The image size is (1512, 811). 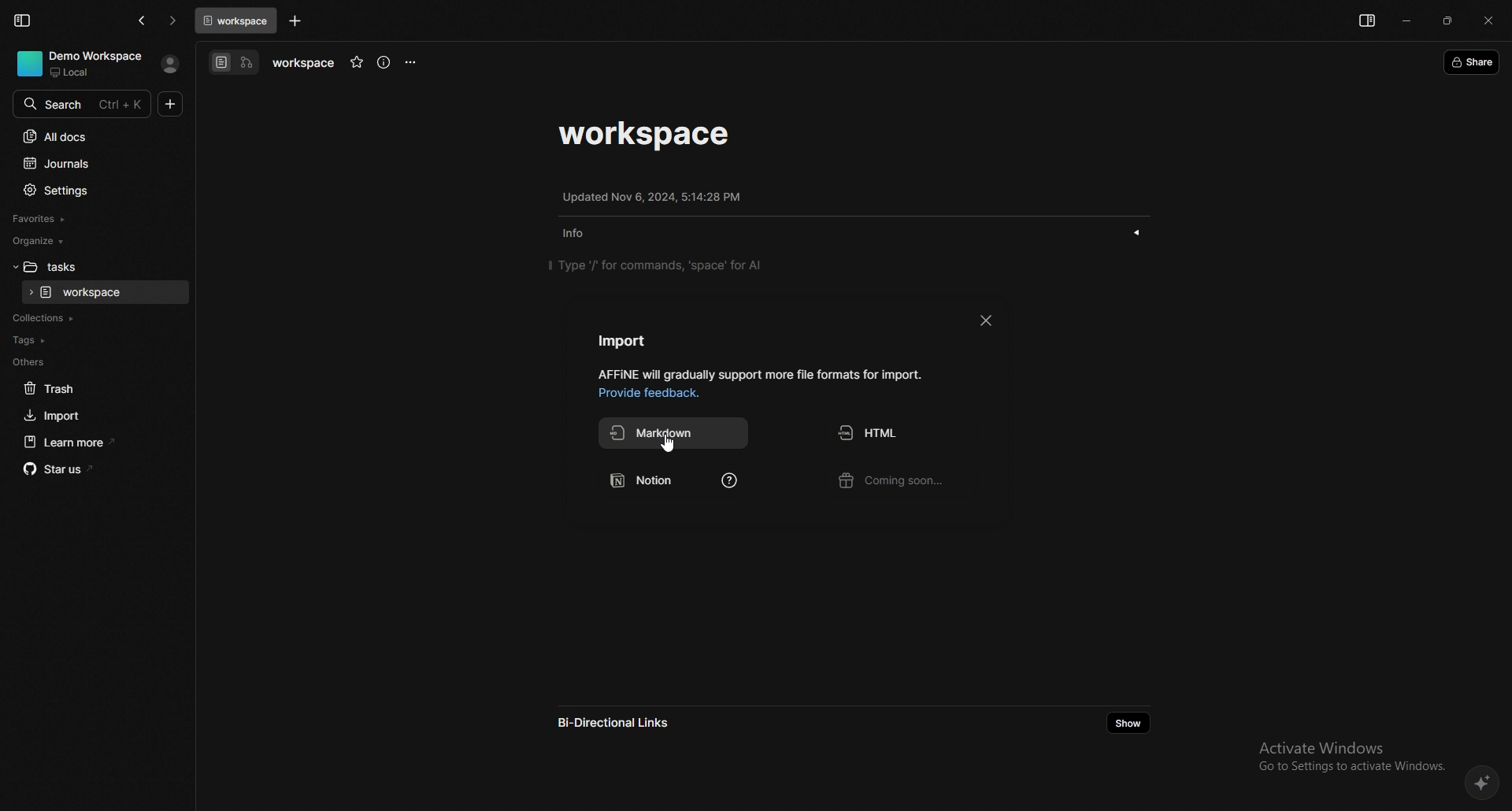 I want to click on new doc, so click(x=171, y=104).